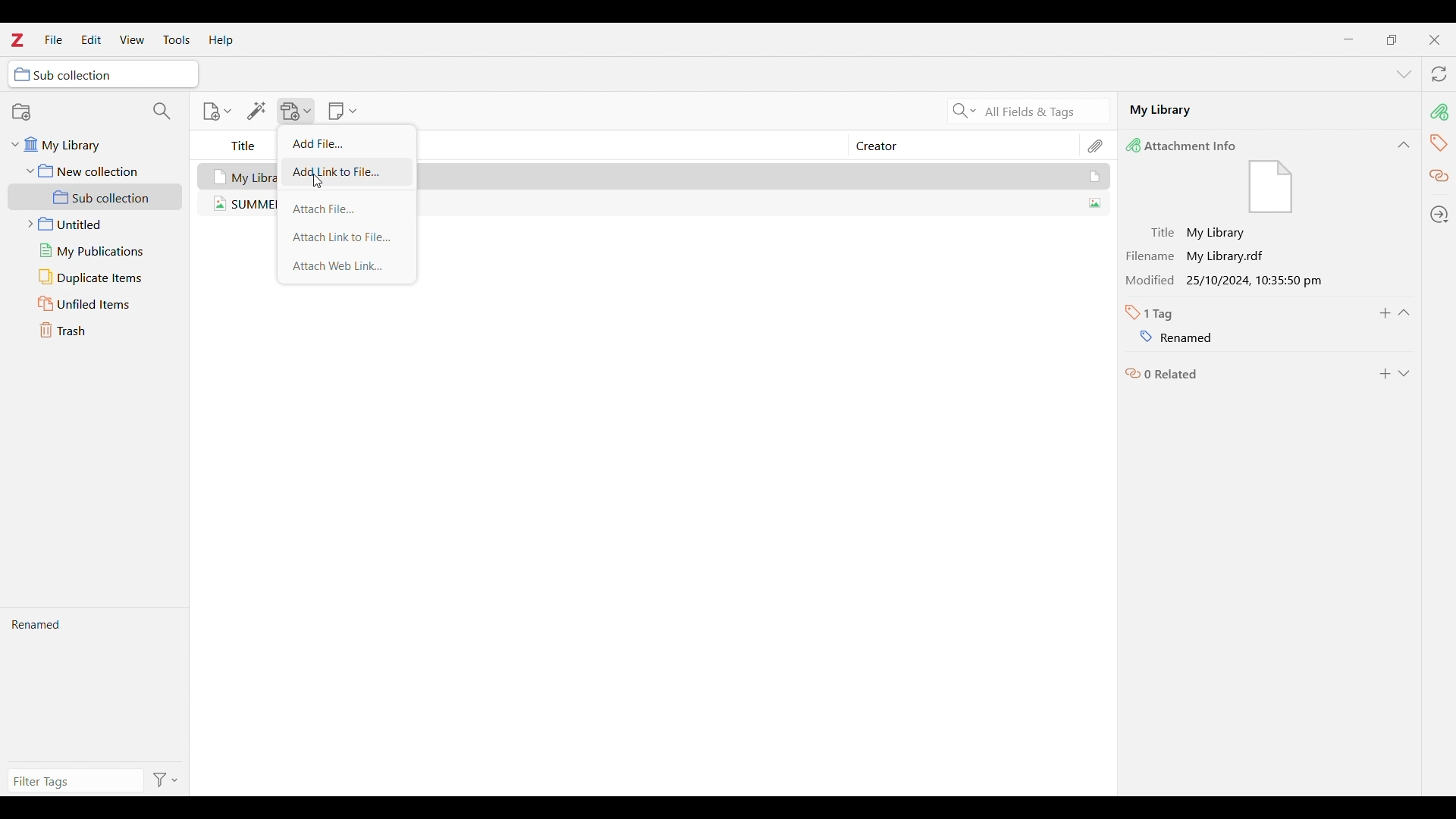 This screenshot has height=819, width=1456. What do you see at coordinates (1439, 215) in the screenshot?
I see `Locate` at bounding box center [1439, 215].